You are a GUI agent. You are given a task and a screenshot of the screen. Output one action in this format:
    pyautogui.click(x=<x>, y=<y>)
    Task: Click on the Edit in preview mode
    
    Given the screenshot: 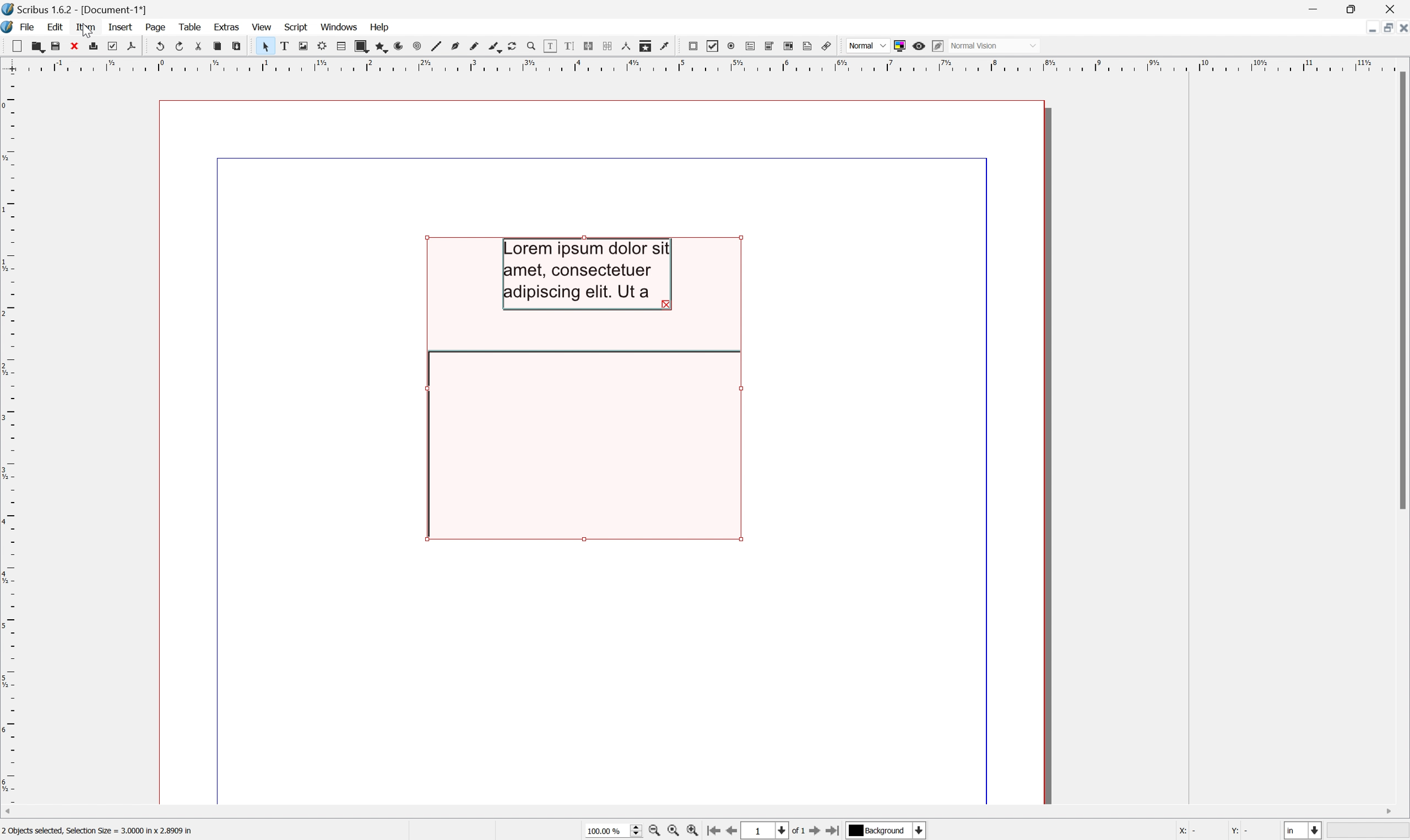 What is the action you would take?
    pyautogui.click(x=939, y=45)
    